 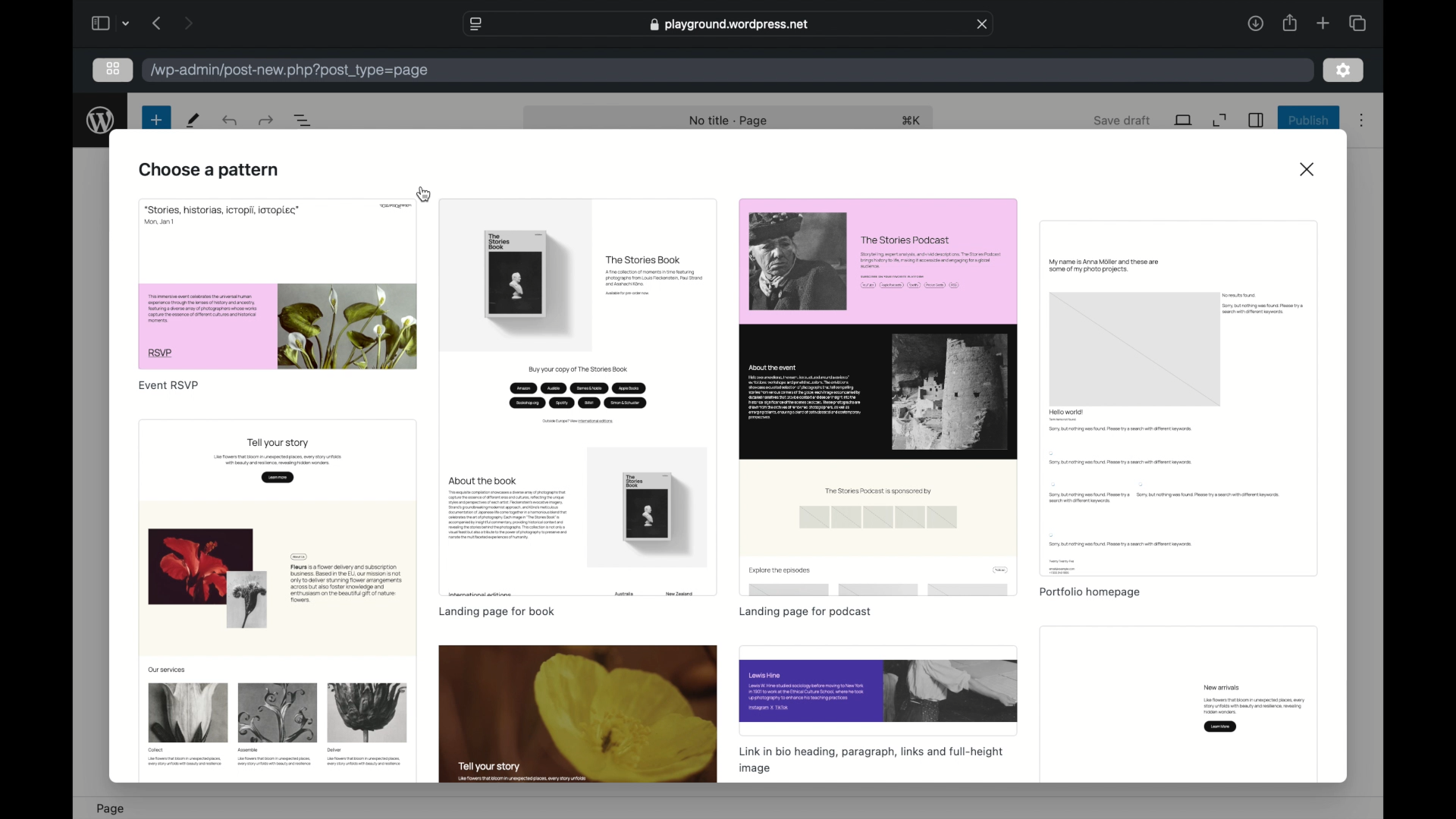 I want to click on event rsvp, so click(x=168, y=384).